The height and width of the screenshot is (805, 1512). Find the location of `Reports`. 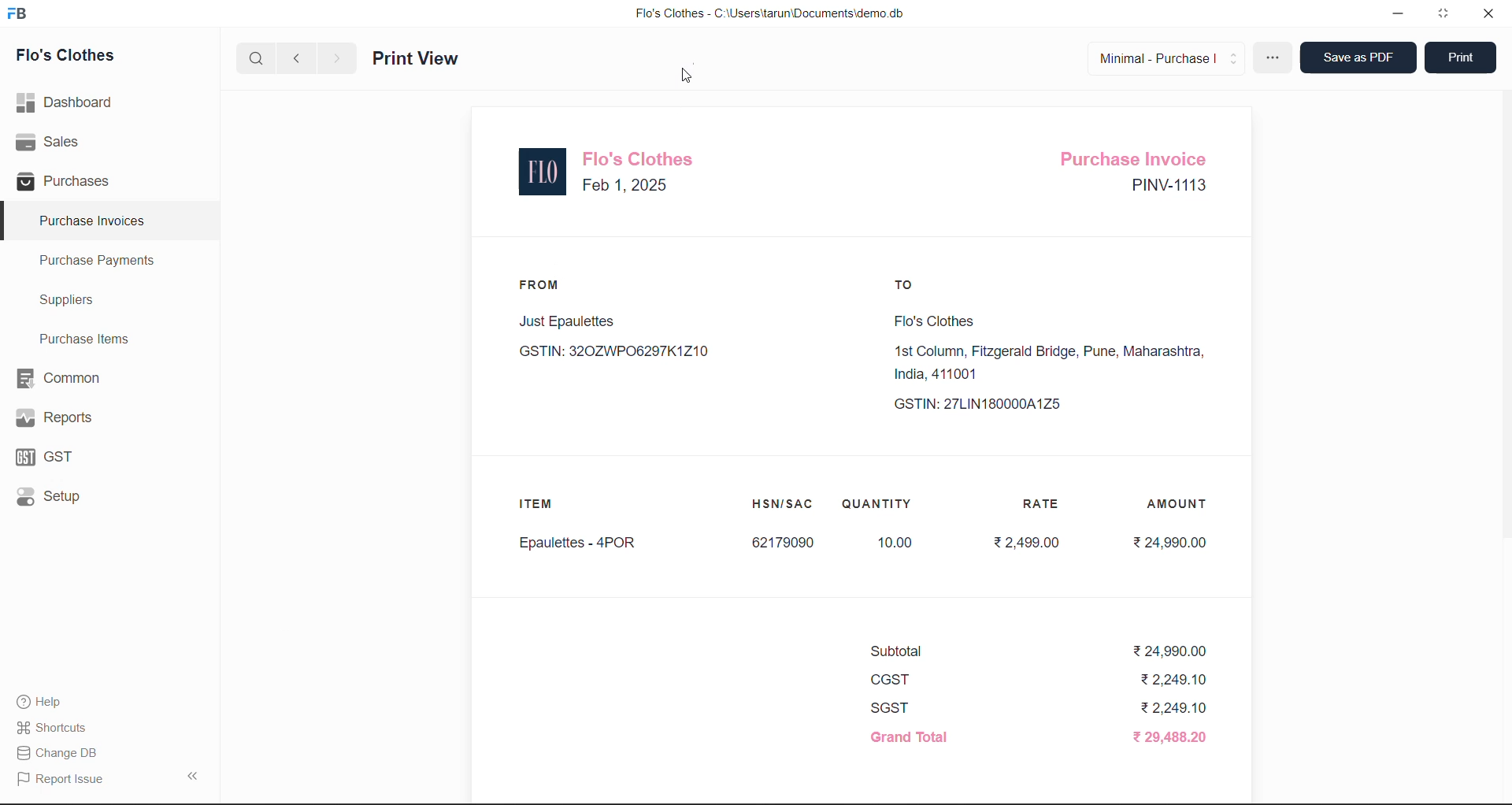

Reports is located at coordinates (71, 417).